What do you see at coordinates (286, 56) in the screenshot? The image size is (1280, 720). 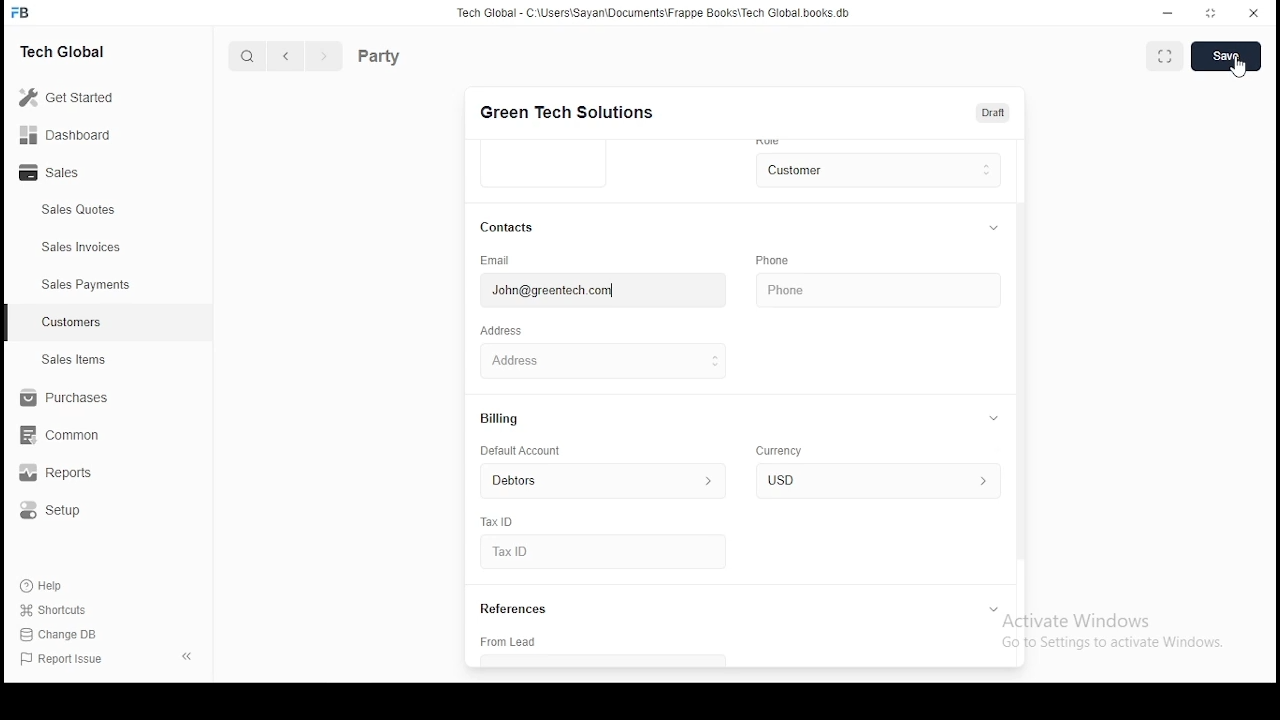 I see `previous` at bounding box center [286, 56].